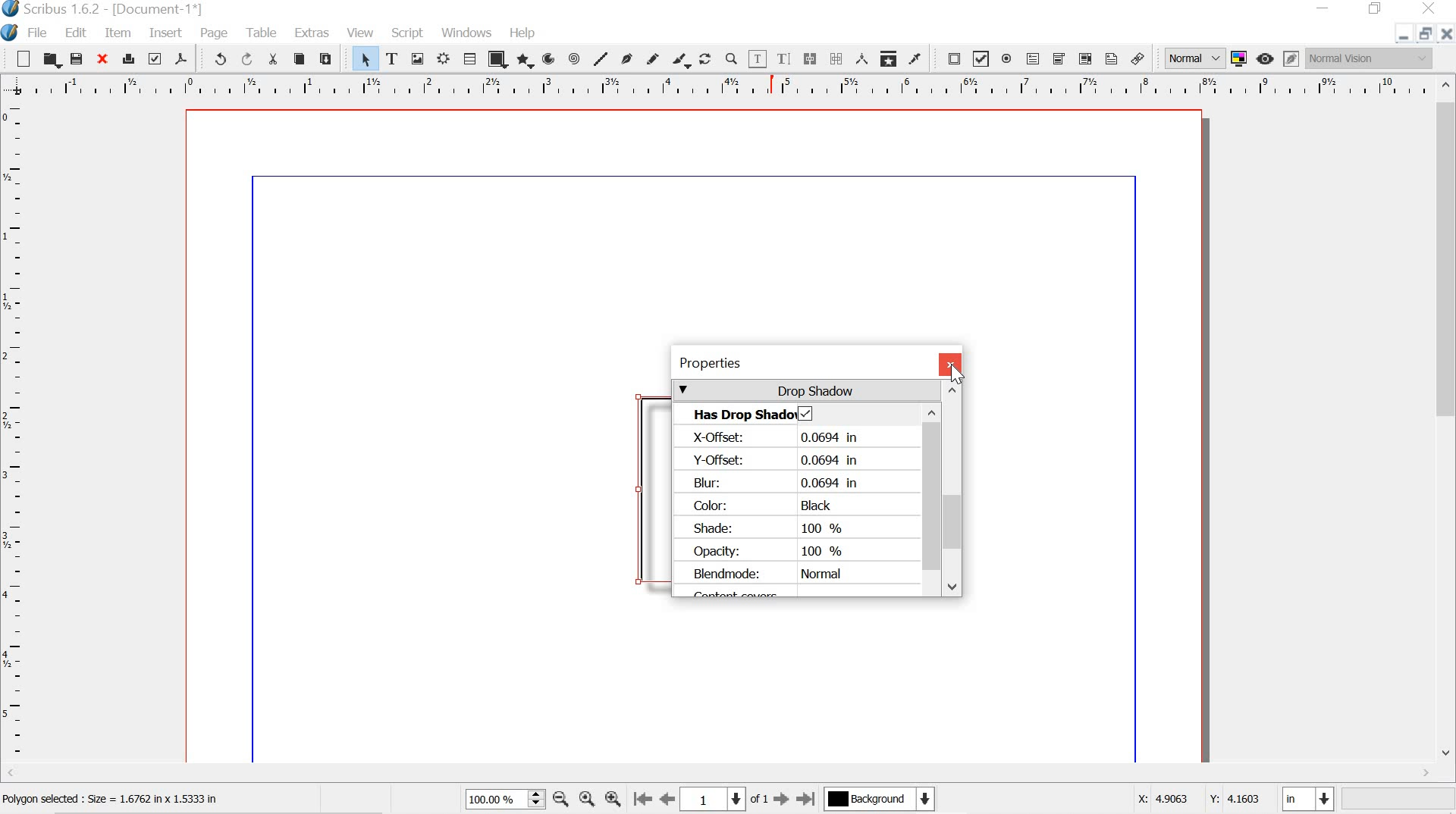 Image resolution: width=1456 pixels, height=814 pixels. I want to click on properties, so click(792, 363).